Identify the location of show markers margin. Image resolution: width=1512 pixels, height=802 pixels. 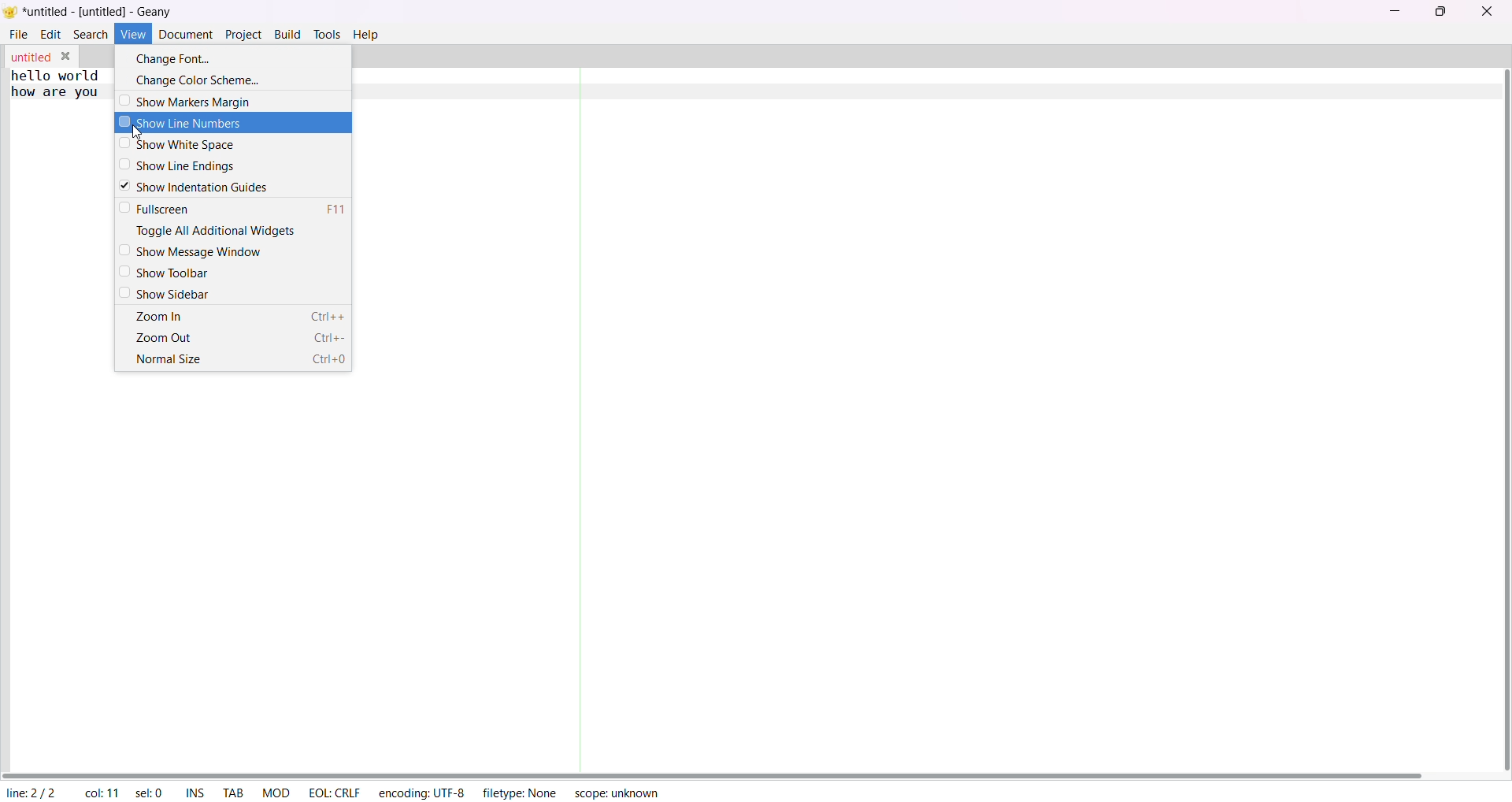
(189, 102).